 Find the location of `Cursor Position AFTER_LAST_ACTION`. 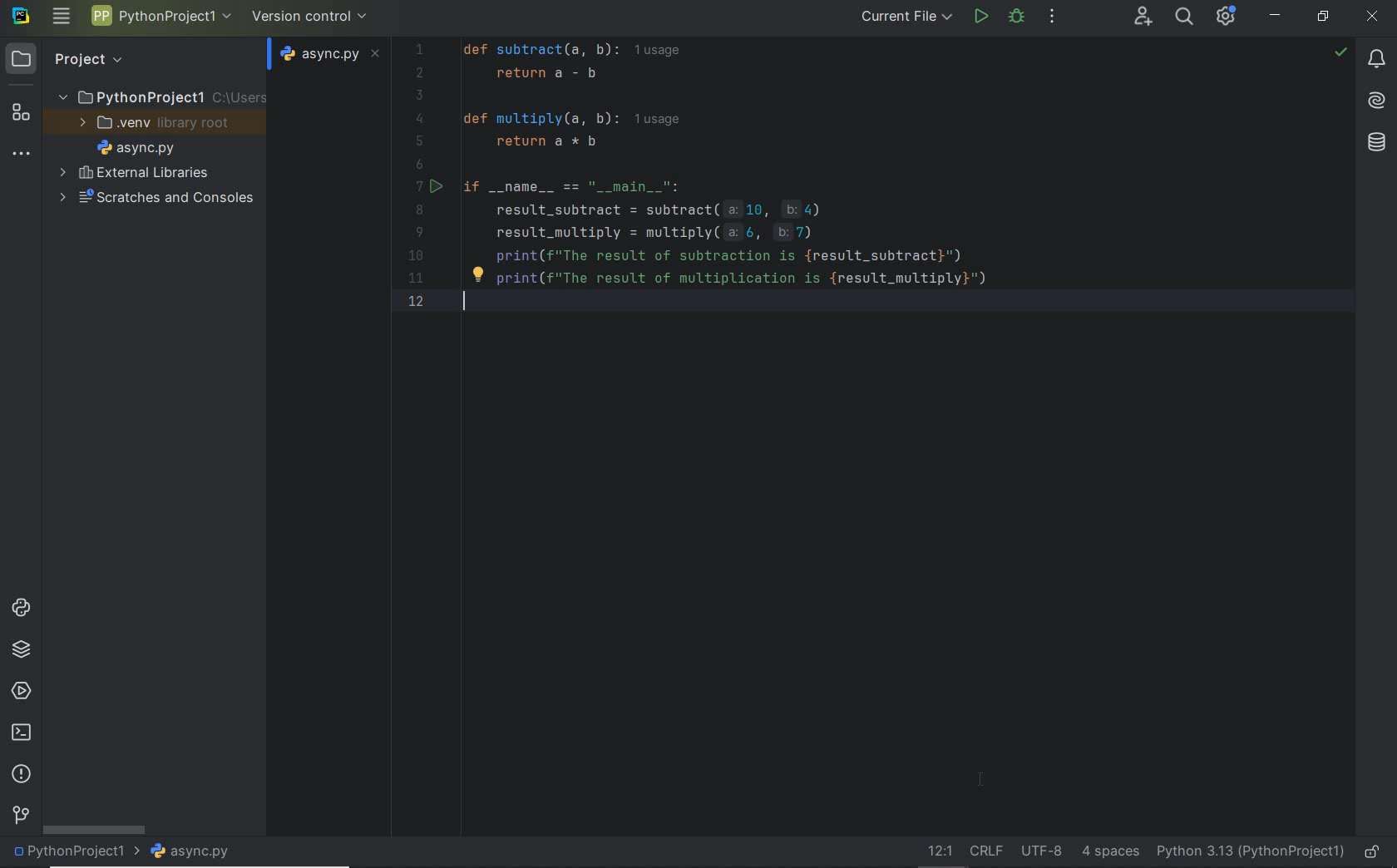

Cursor Position AFTER_LAST_ACTION is located at coordinates (983, 783).